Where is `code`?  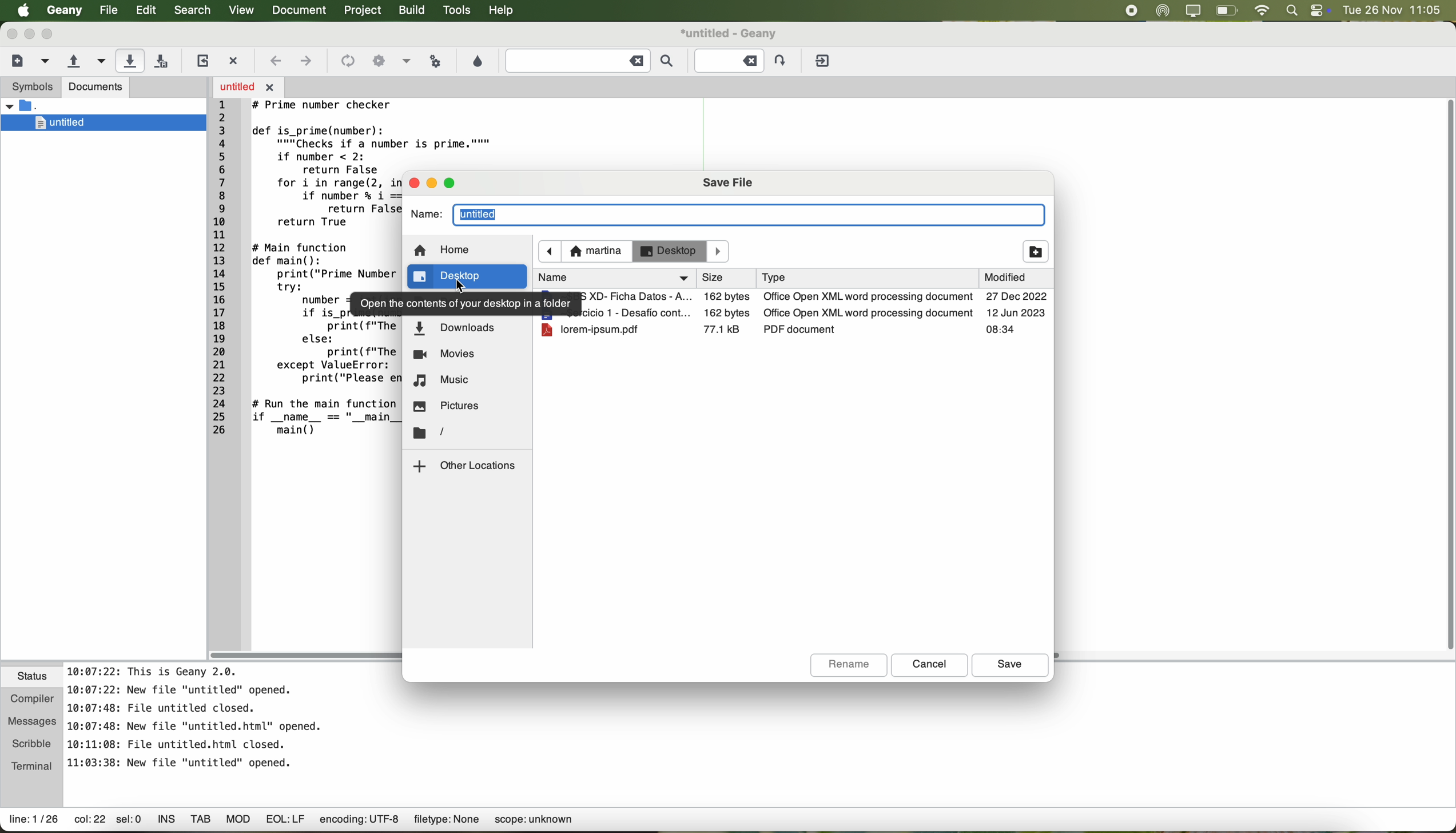
code is located at coordinates (309, 280).